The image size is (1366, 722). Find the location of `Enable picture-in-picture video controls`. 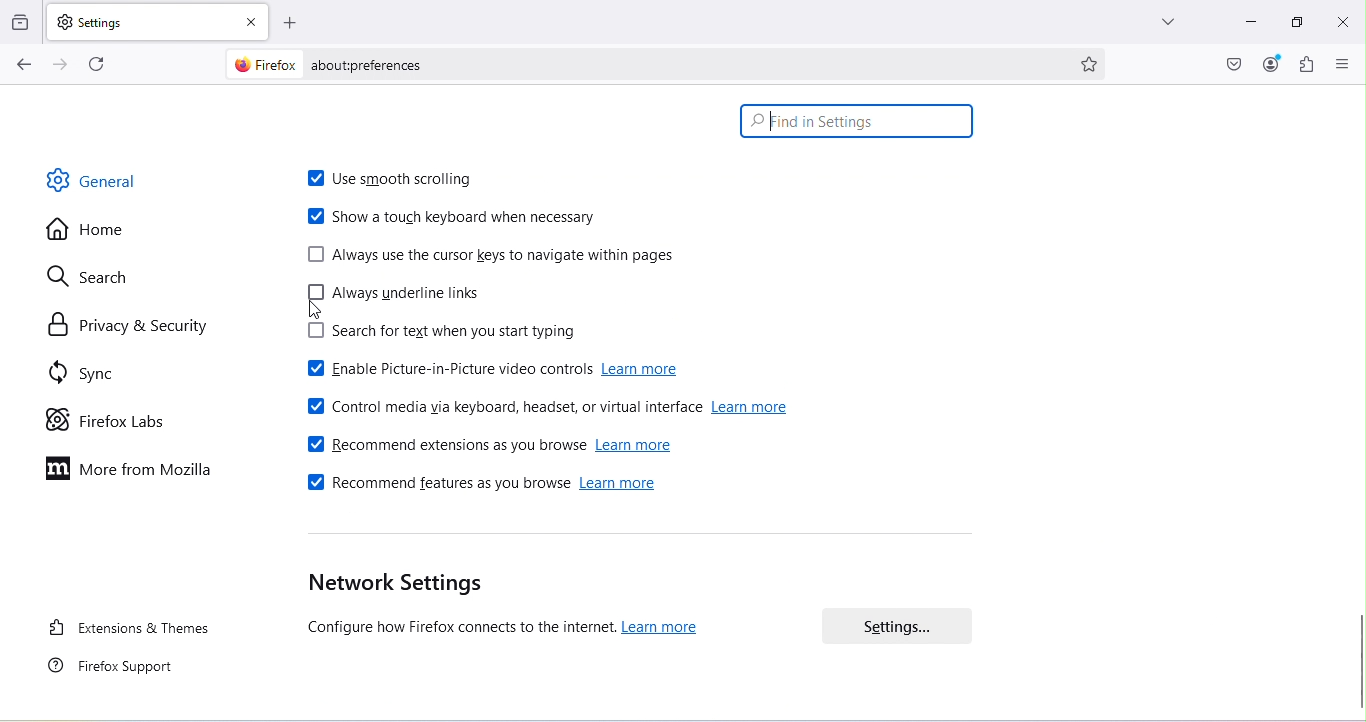

Enable picture-in-picture video controls is located at coordinates (437, 372).